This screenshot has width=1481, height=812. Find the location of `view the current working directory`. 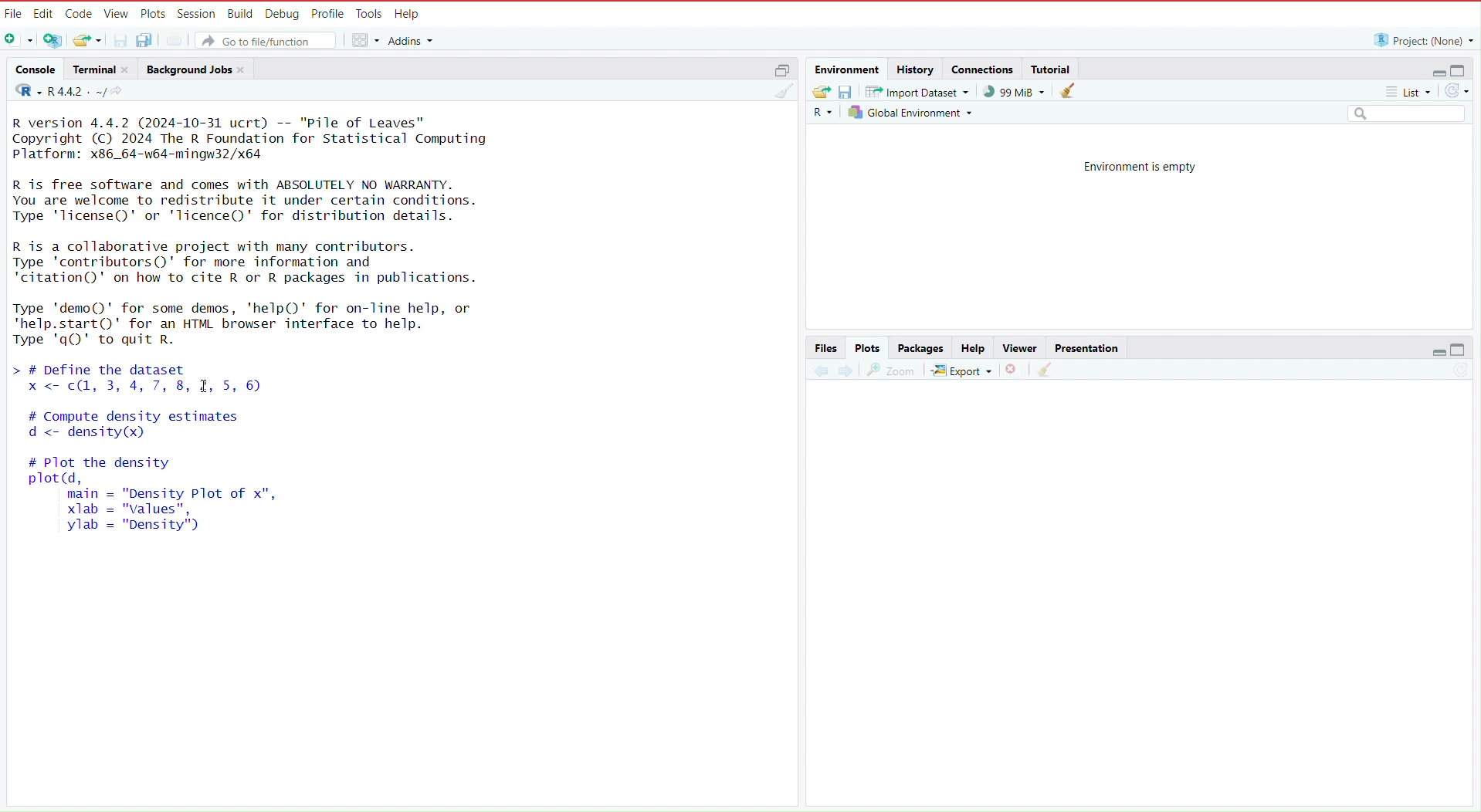

view the current working directory is located at coordinates (121, 92).